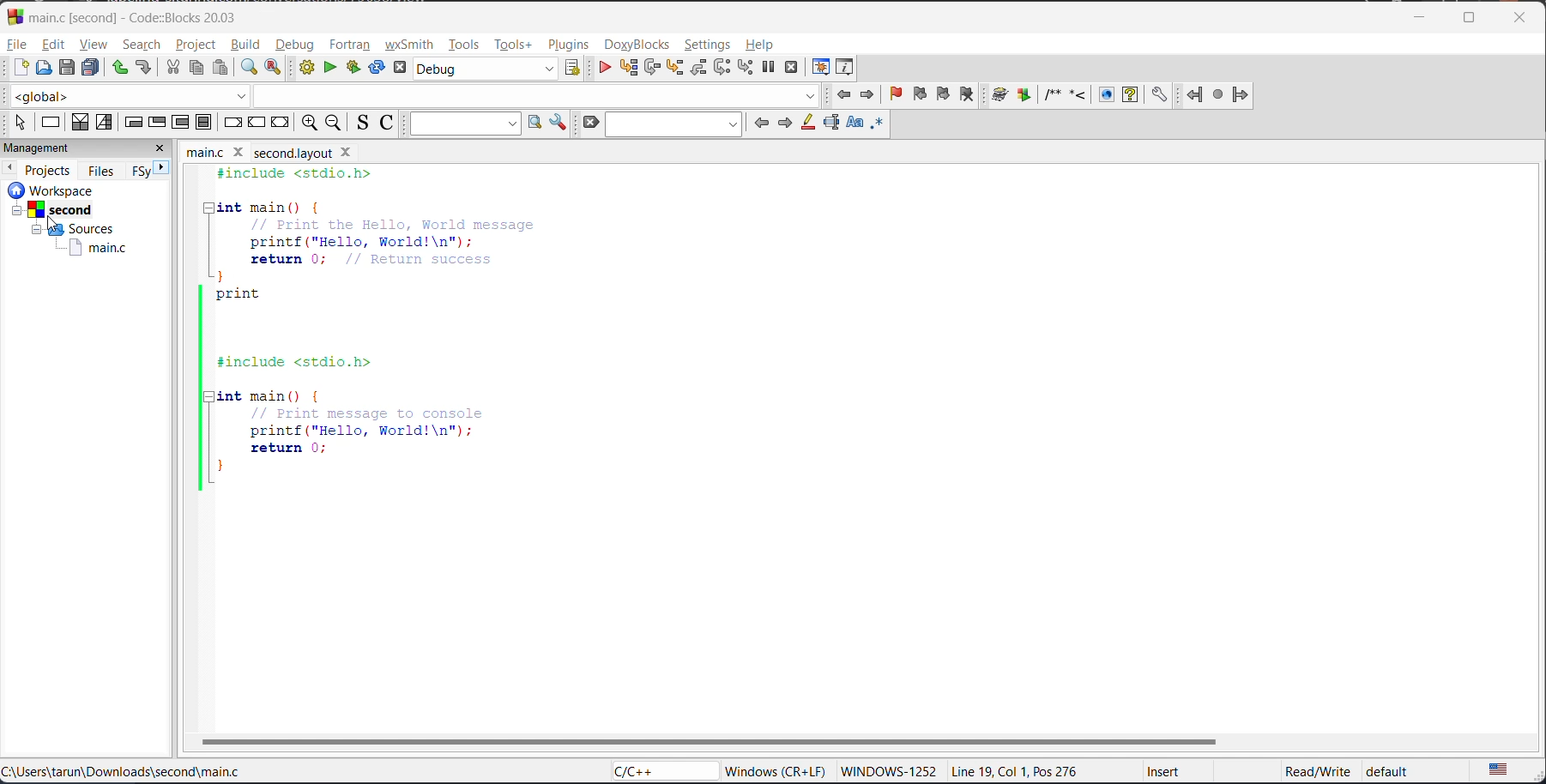 This screenshot has width=1546, height=784. What do you see at coordinates (46, 169) in the screenshot?
I see `projects` at bounding box center [46, 169].